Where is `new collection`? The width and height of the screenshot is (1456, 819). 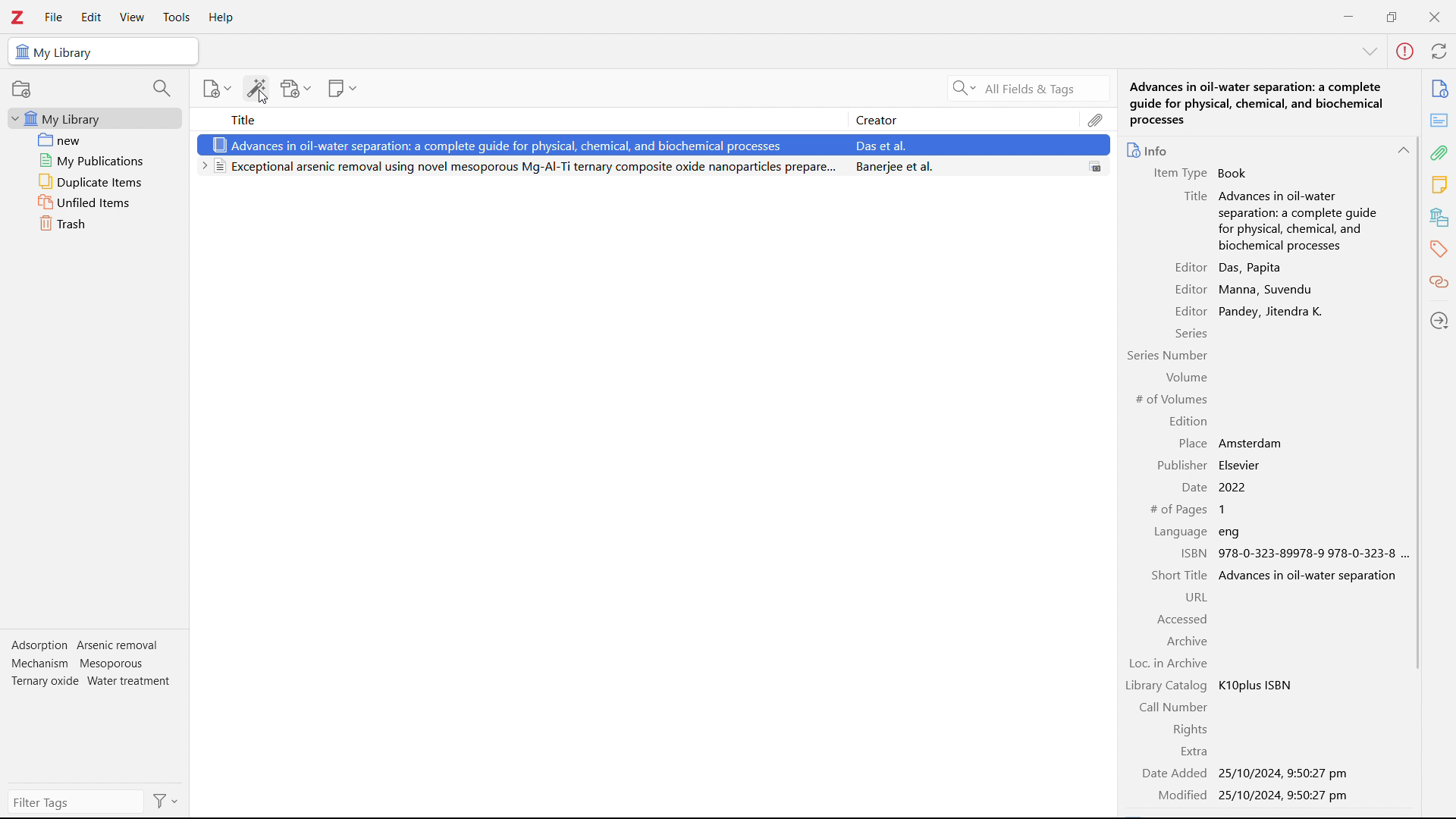
new collection is located at coordinates (21, 89).